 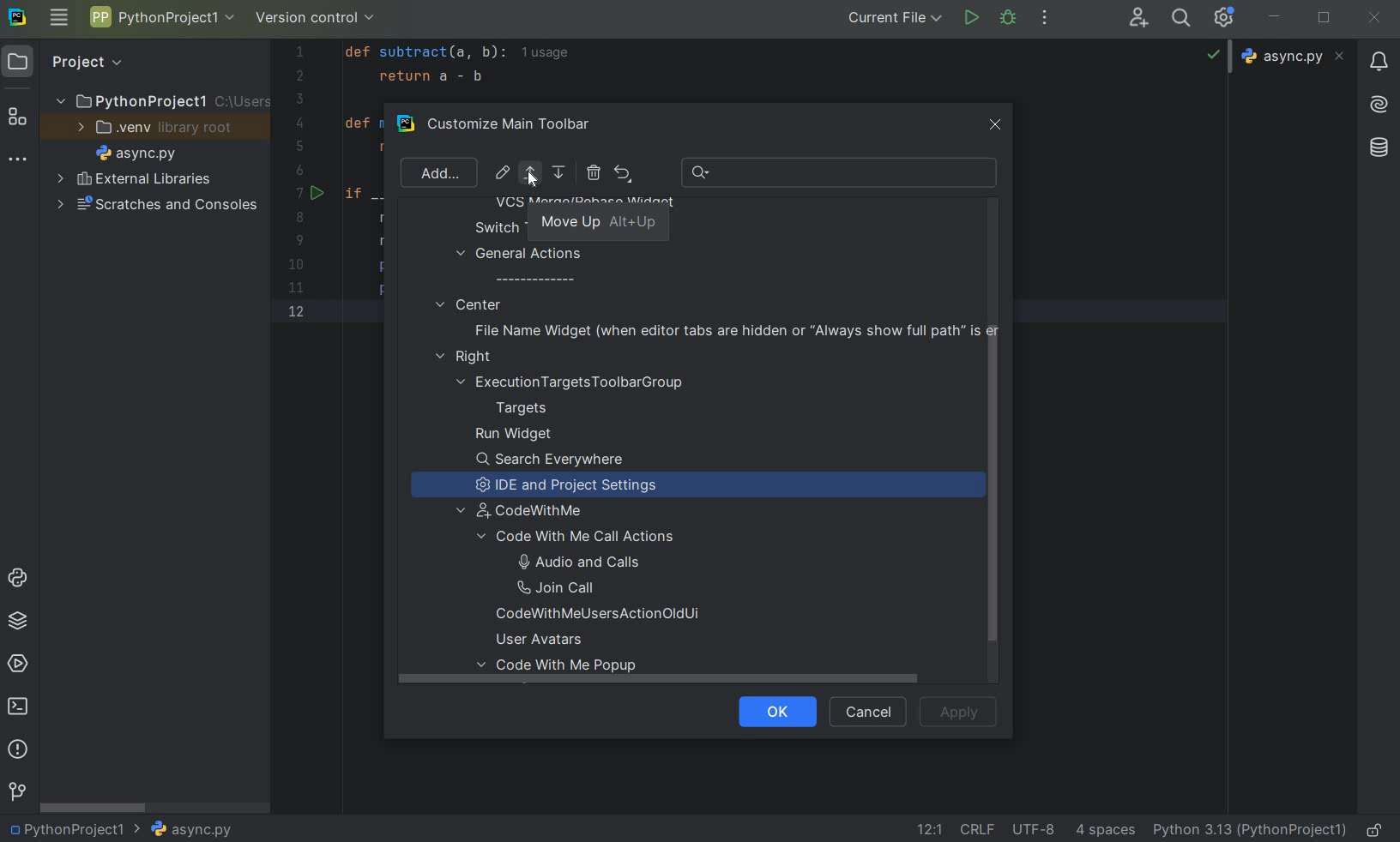 What do you see at coordinates (468, 358) in the screenshot?
I see `right` at bounding box center [468, 358].